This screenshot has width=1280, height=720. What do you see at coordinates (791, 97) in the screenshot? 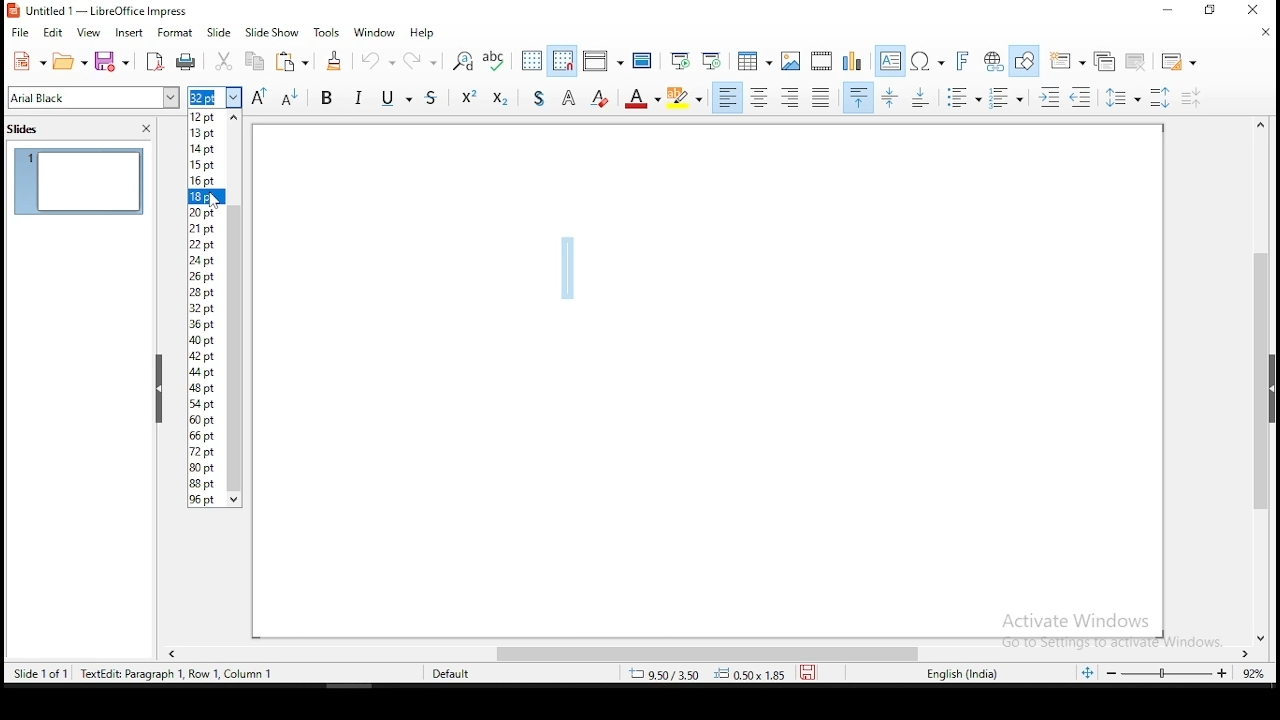
I see `Right Align` at bounding box center [791, 97].